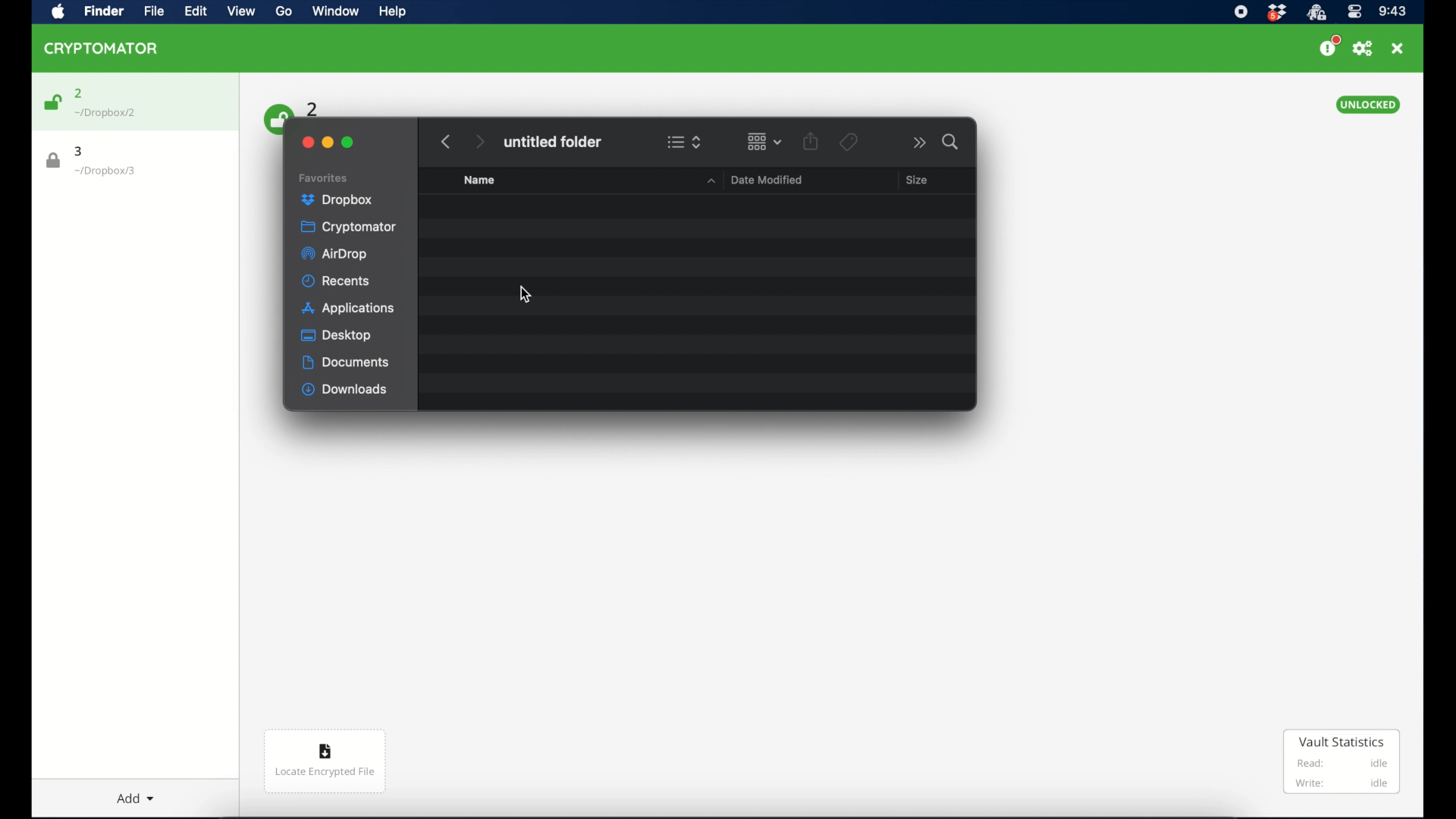 This screenshot has width=1456, height=819. What do you see at coordinates (102, 48) in the screenshot?
I see `cryptomator` at bounding box center [102, 48].